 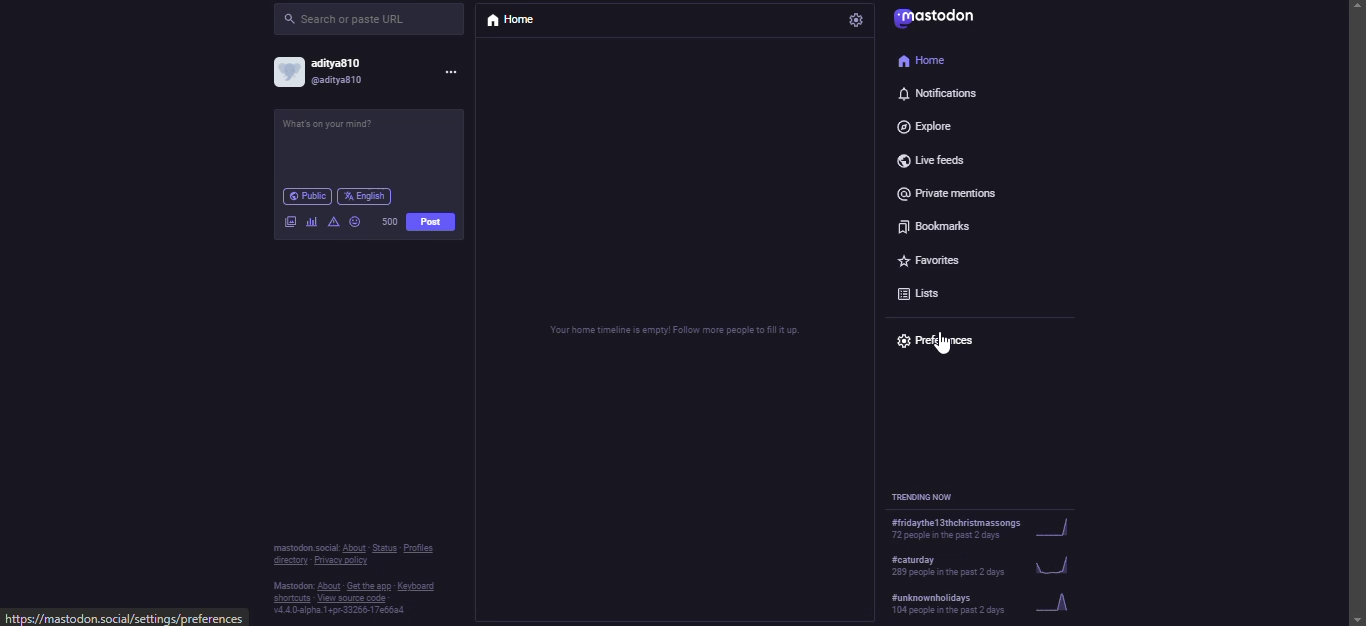 What do you see at coordinates (928, 224) in the screenshot?
I see `bookmarks` at bounding box center [928, 224].